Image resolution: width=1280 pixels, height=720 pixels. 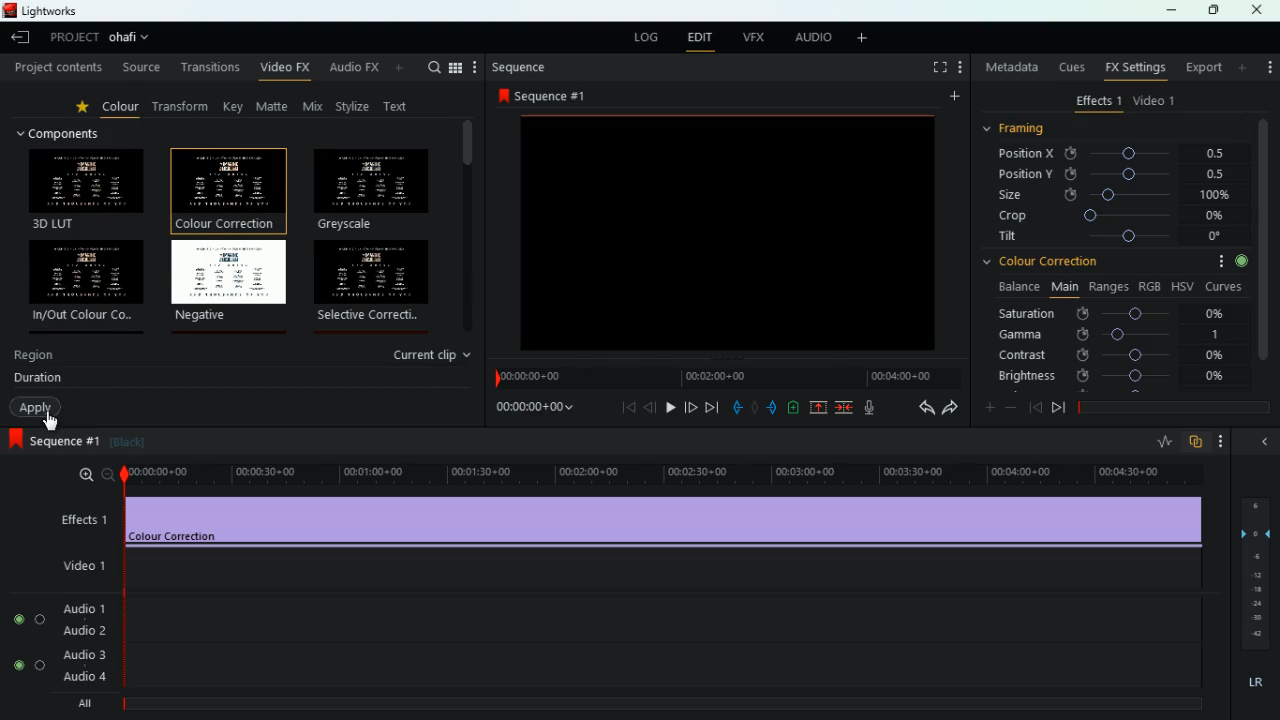 What do you see at coordinates (1173, 11) in the screenshot?
I see `minimize` at bounding box center [1173, 11].